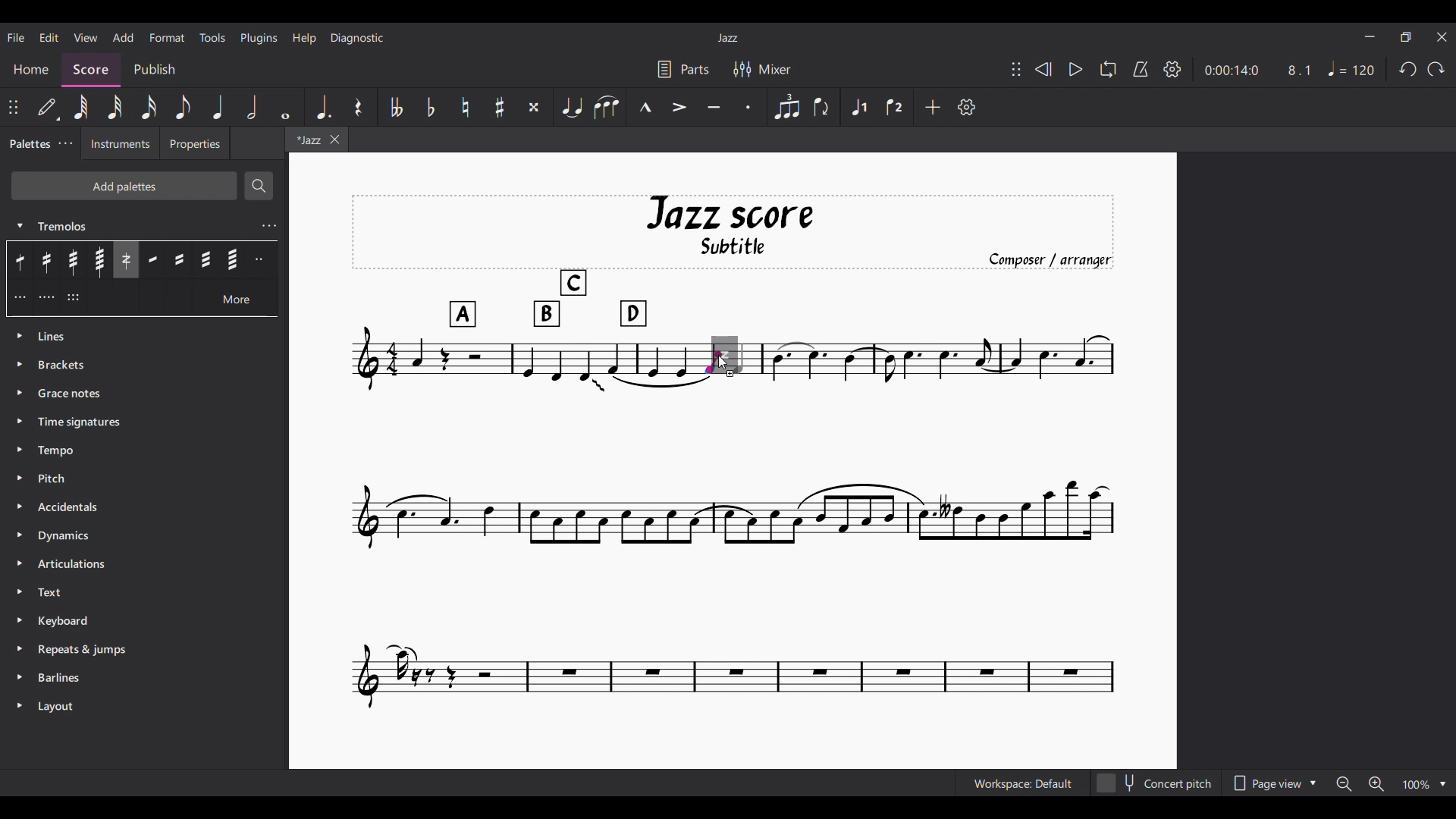 The width and height of the screenshot is (1456, 819). I want to click on View, so click(86, 37).